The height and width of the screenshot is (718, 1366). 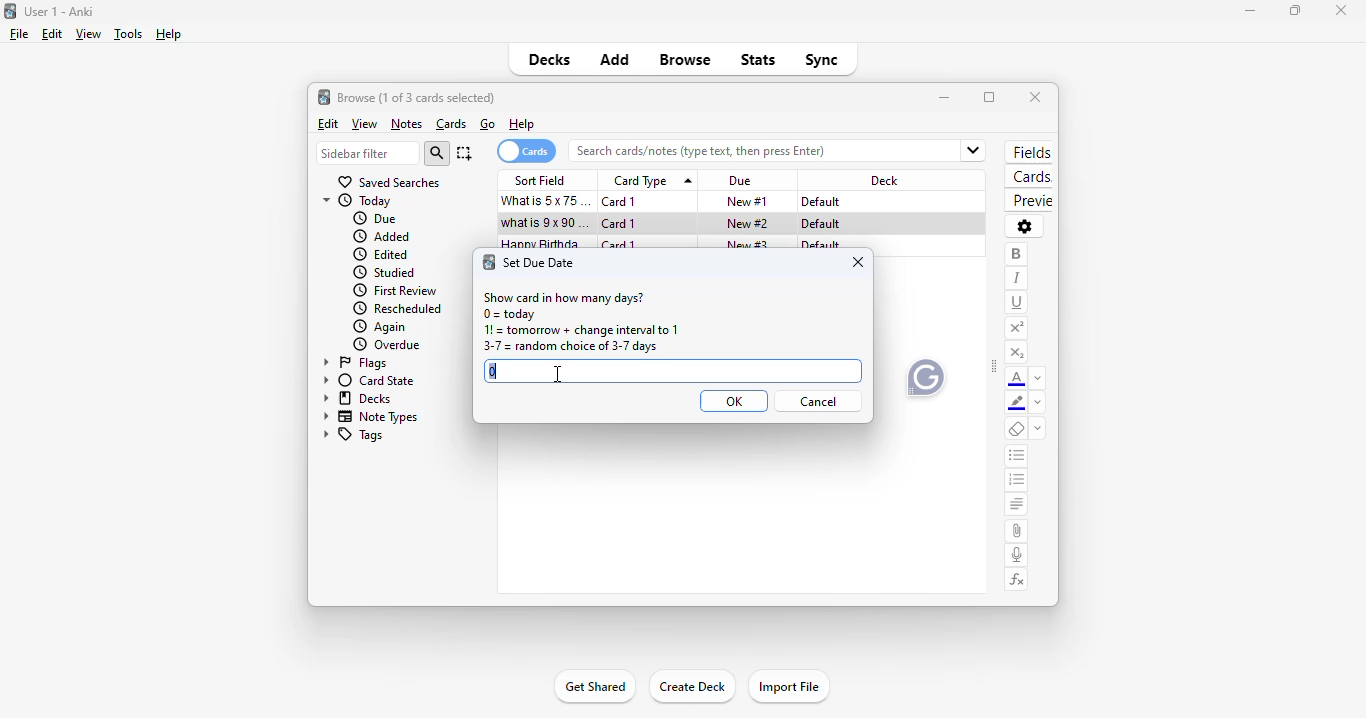 What do you see at coordinates (544, 222) in the screenshot?
I see `what is 9x90=?` at bounding box center [544, 222].